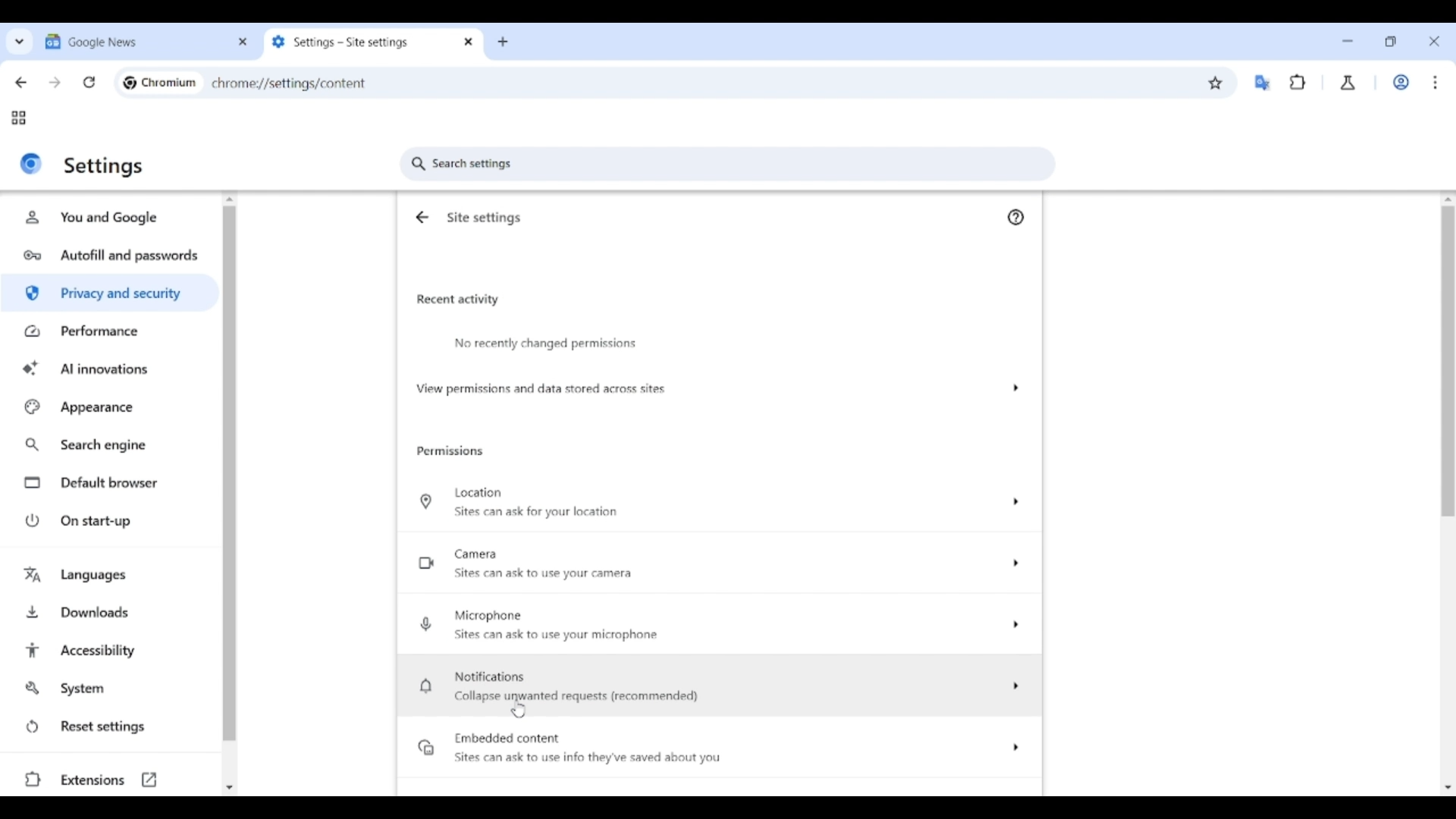 The height and width of the screenshot is (819, 1456). Describe the element at coordinates (135, 41) in the screenshot. I see `Tab 1` at that location.